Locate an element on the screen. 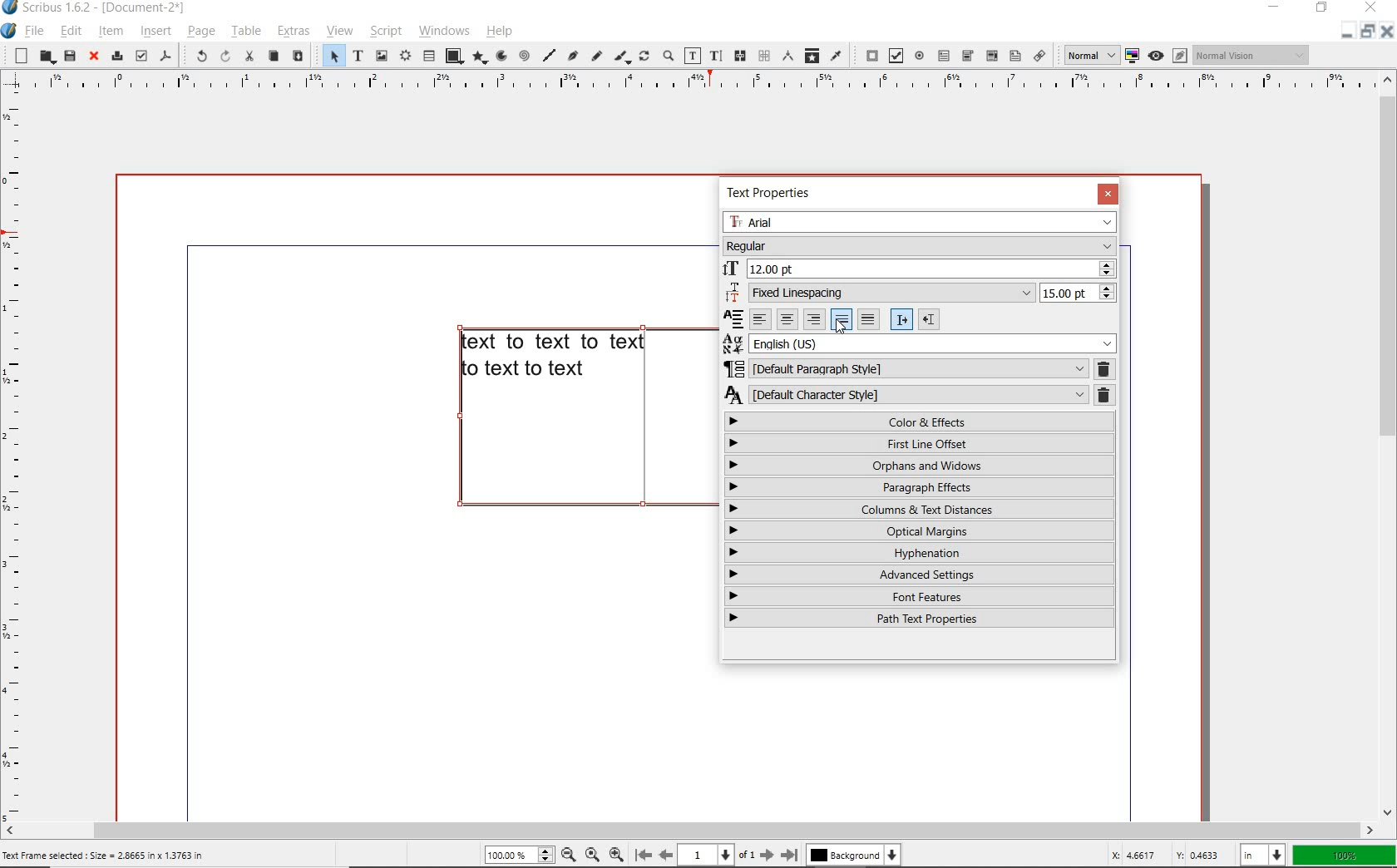 The height and width of the screenshot is (868, 1397). ruler is located at coordinates (17, 456).